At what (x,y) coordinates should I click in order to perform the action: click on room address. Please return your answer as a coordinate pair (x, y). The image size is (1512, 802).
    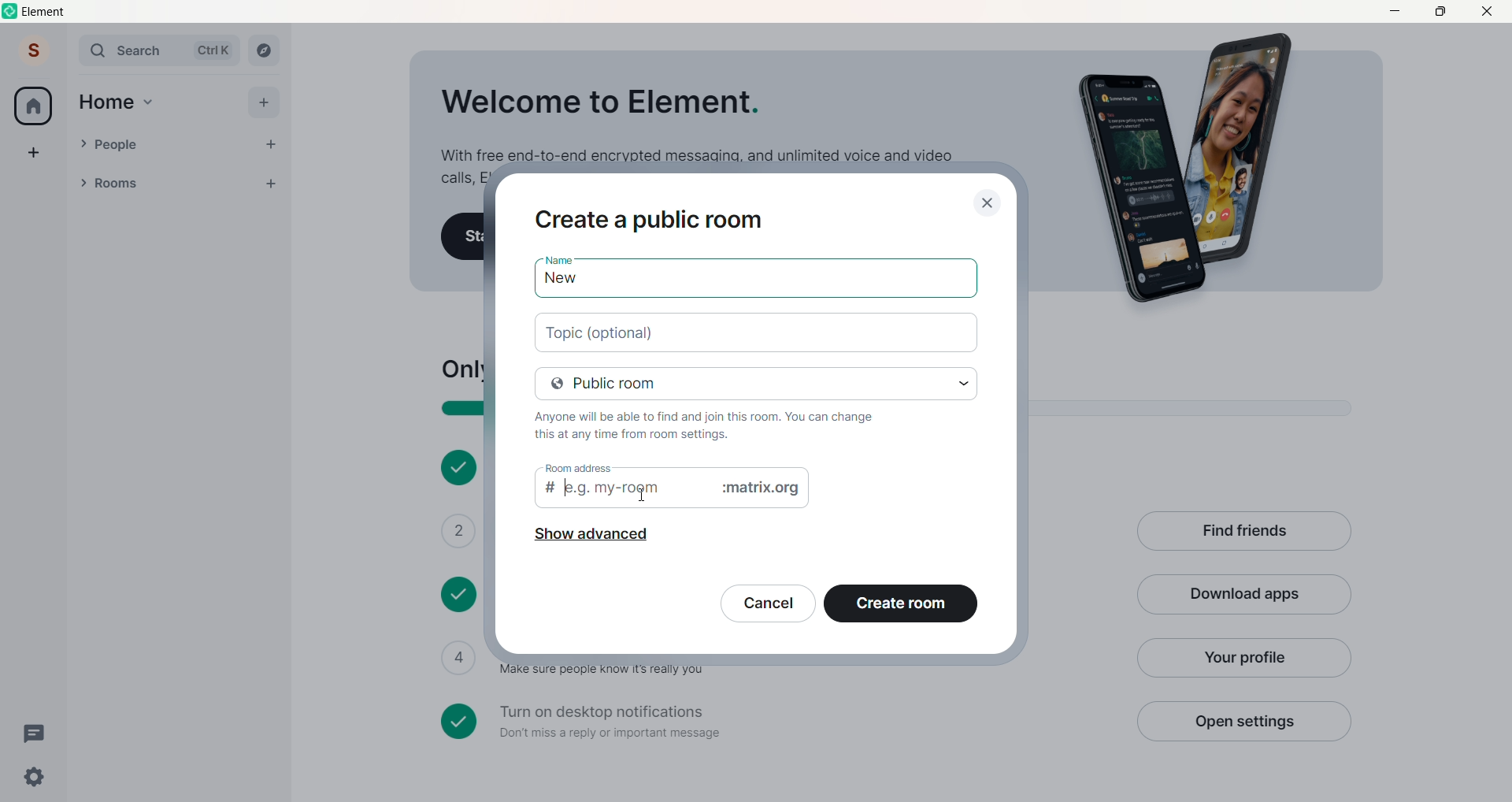
    Looking at the image, I should click on (576, 467).